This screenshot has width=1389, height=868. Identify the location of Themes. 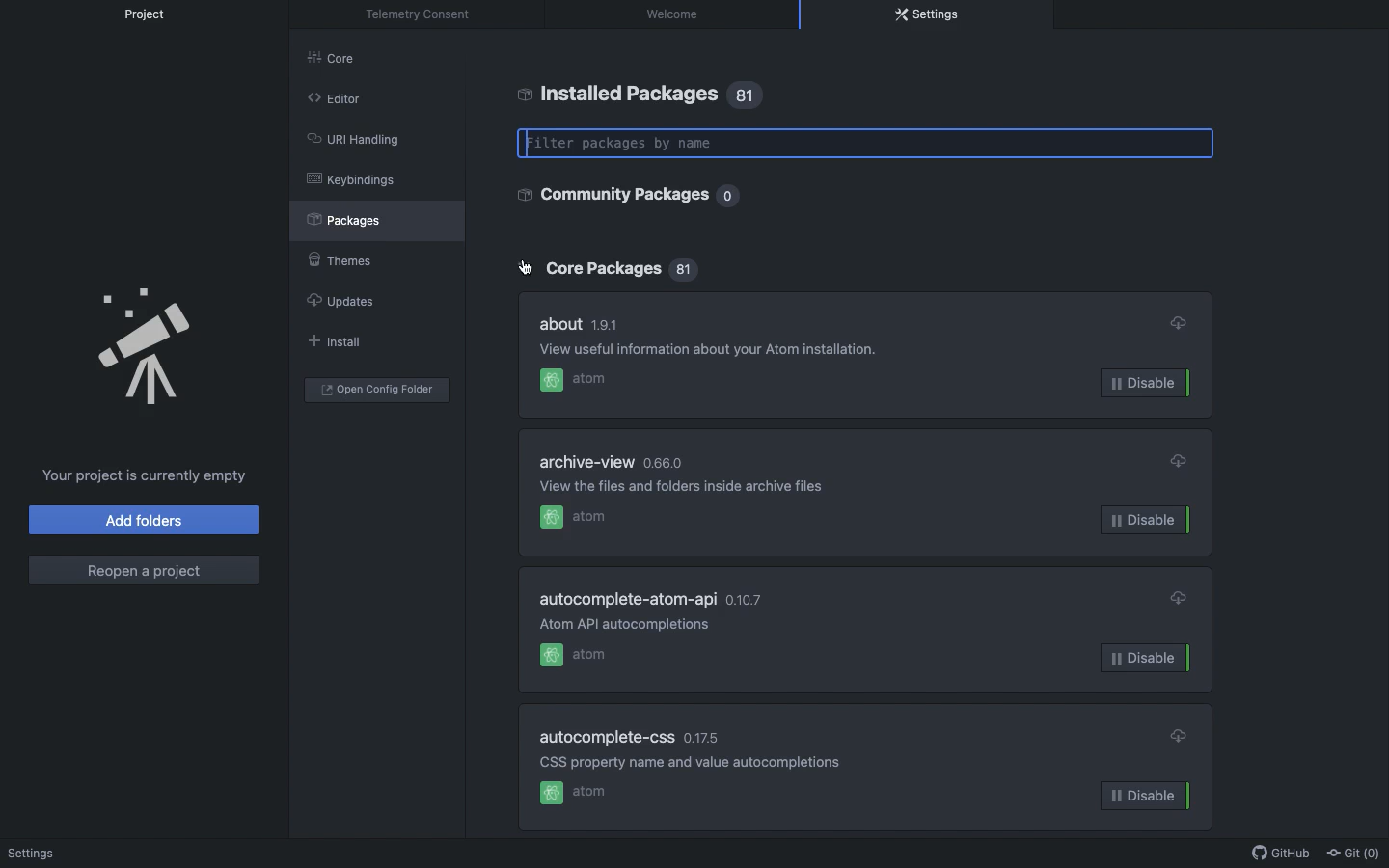
(338, 257).